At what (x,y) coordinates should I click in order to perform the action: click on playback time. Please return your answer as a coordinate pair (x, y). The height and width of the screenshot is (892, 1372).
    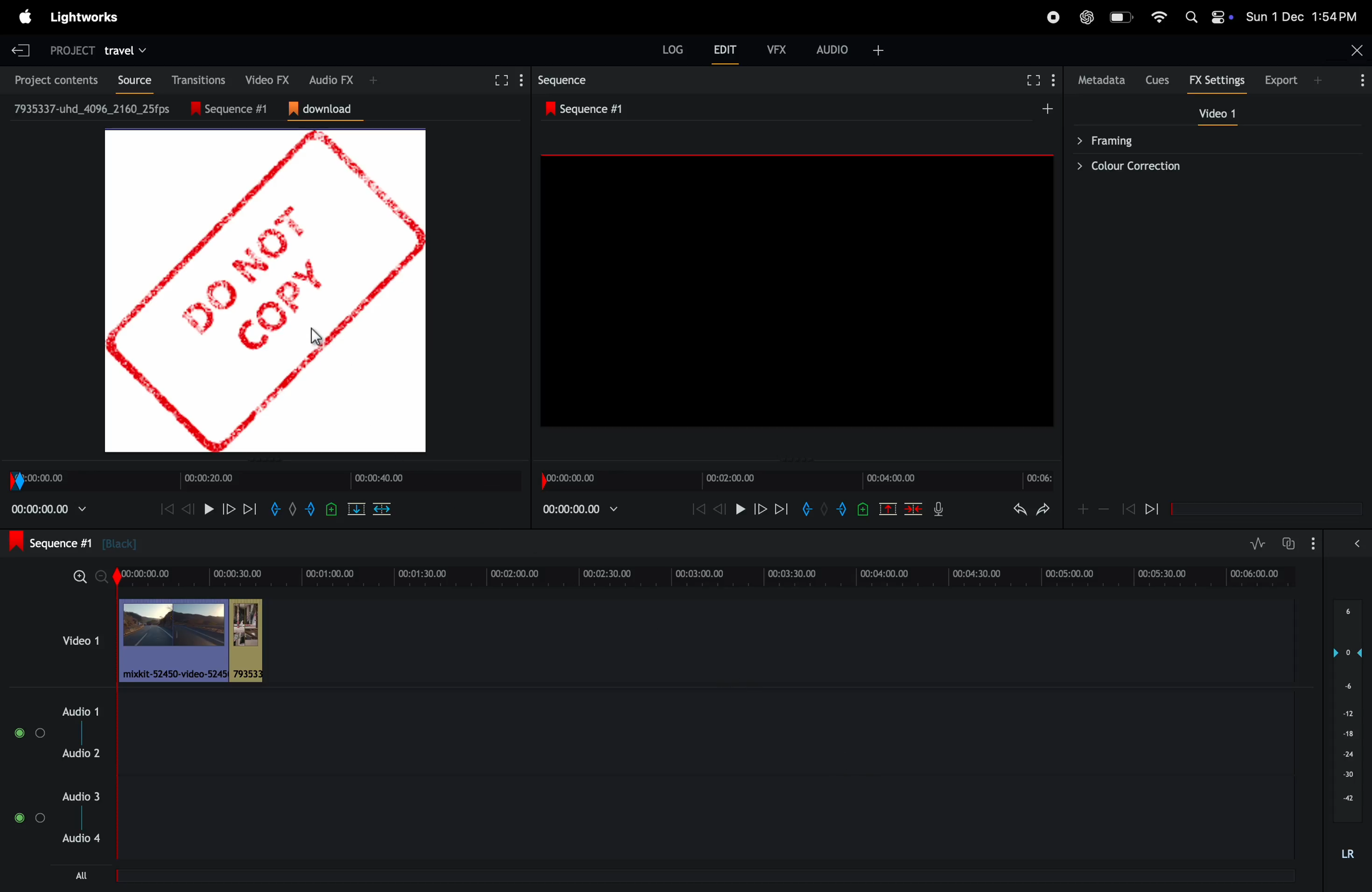
    Looking at the image, I should click on (579, 509).